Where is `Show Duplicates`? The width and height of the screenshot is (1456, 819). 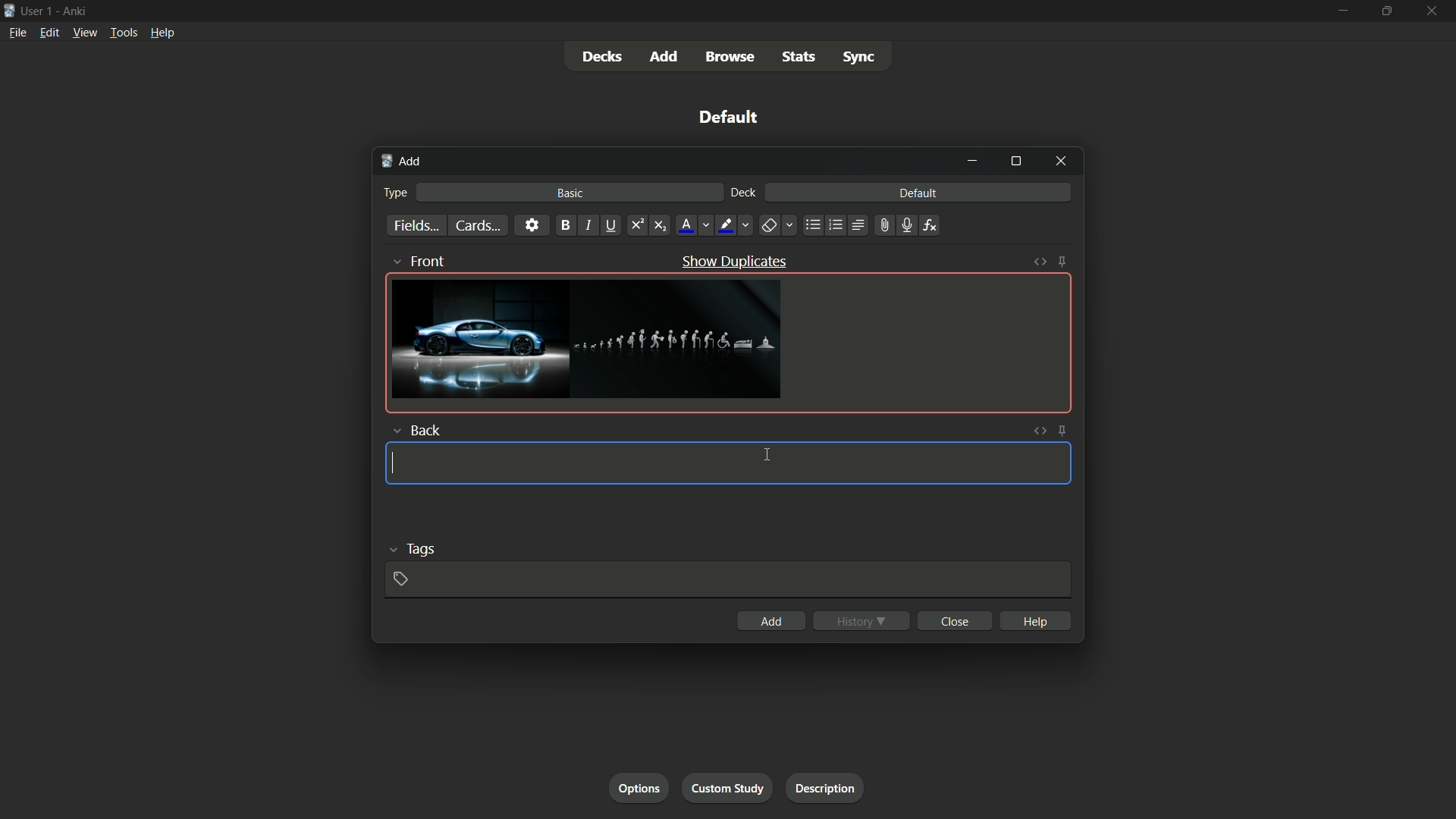
Show Duplicates is located at coordinates (734, 261).